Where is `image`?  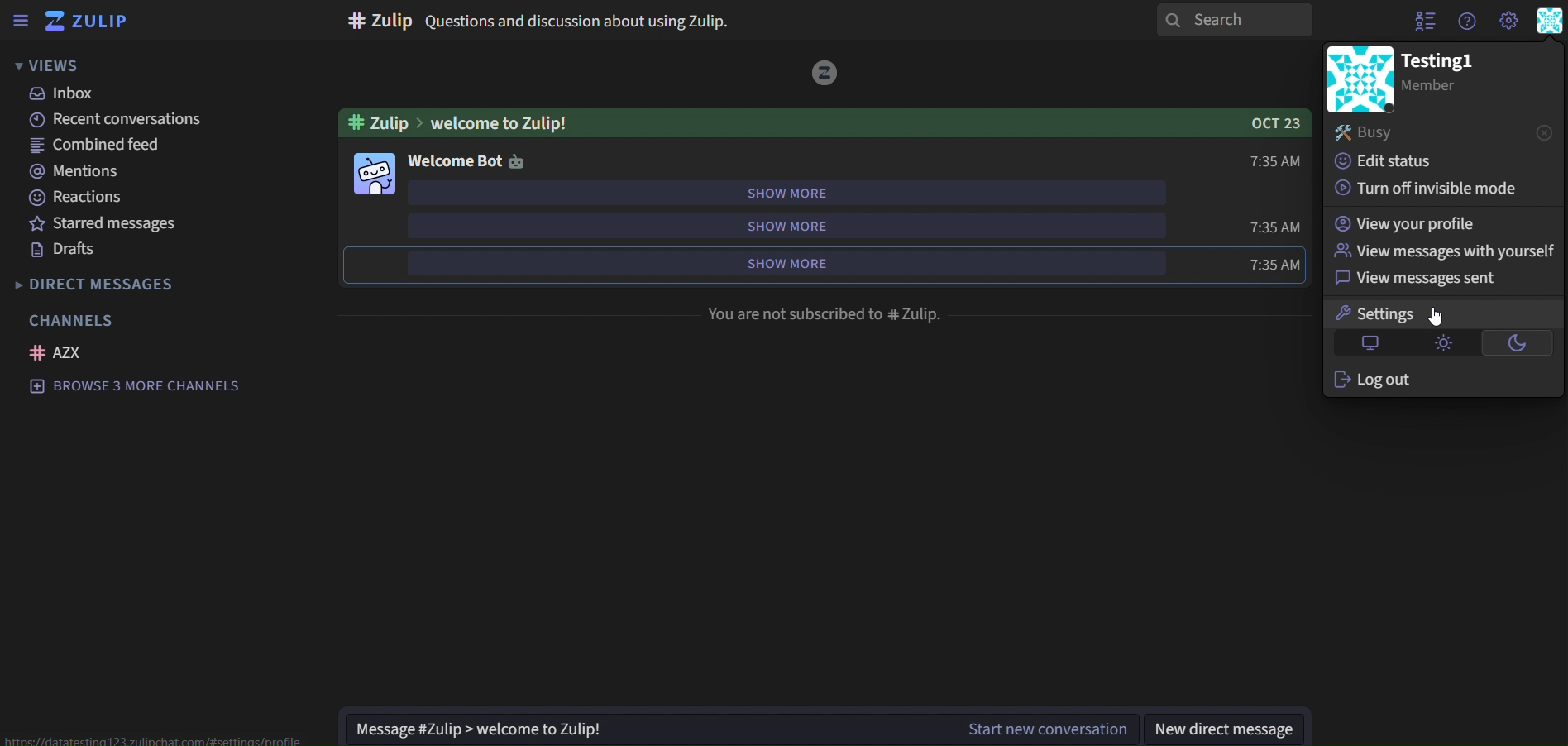
image is located at coordinates (825, 73).